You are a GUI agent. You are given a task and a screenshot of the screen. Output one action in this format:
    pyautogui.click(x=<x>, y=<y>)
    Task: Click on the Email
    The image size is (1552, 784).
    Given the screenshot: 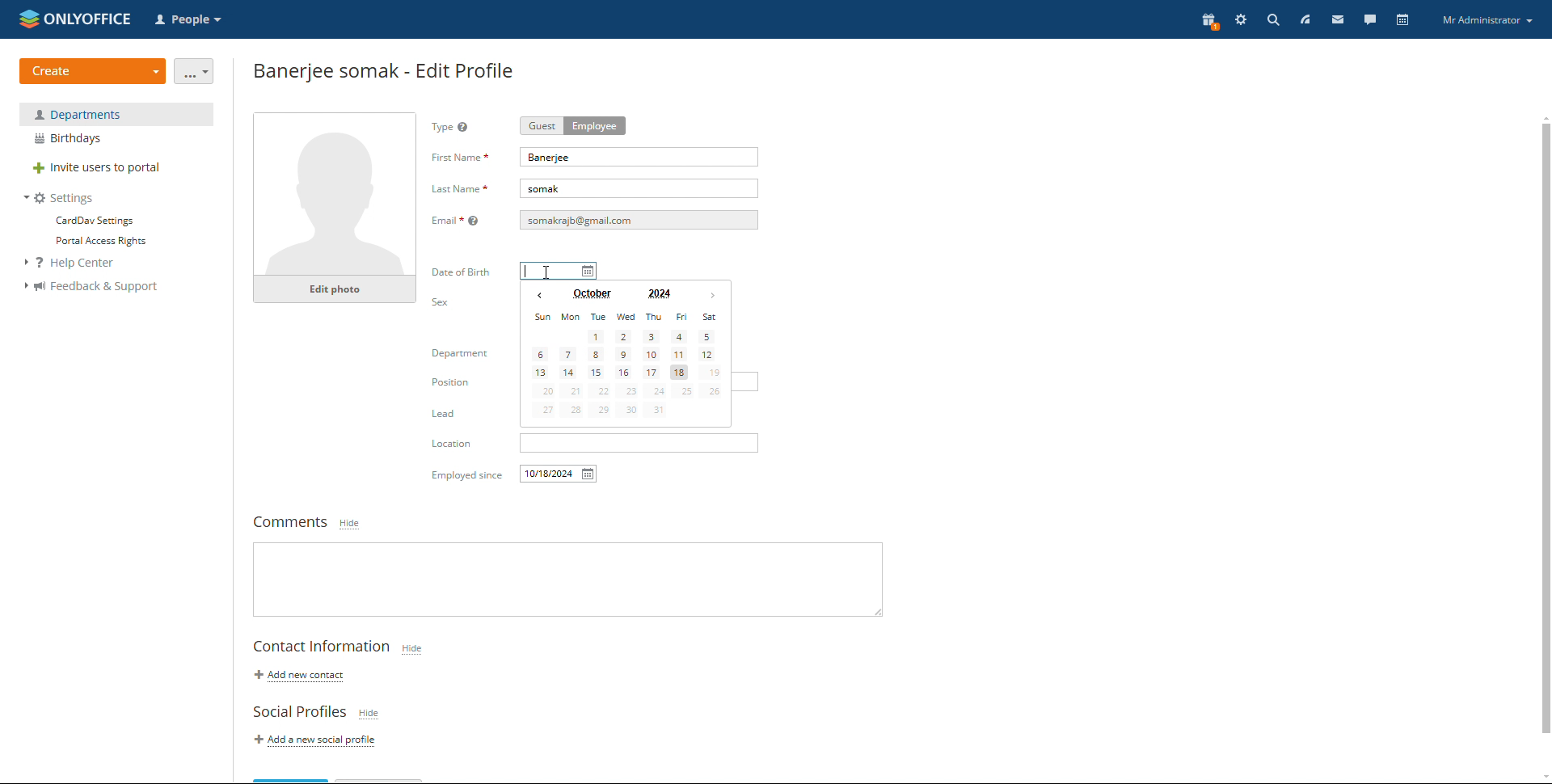 What is the action you would take?
    pyautogui.click(x=458, y=220)
    